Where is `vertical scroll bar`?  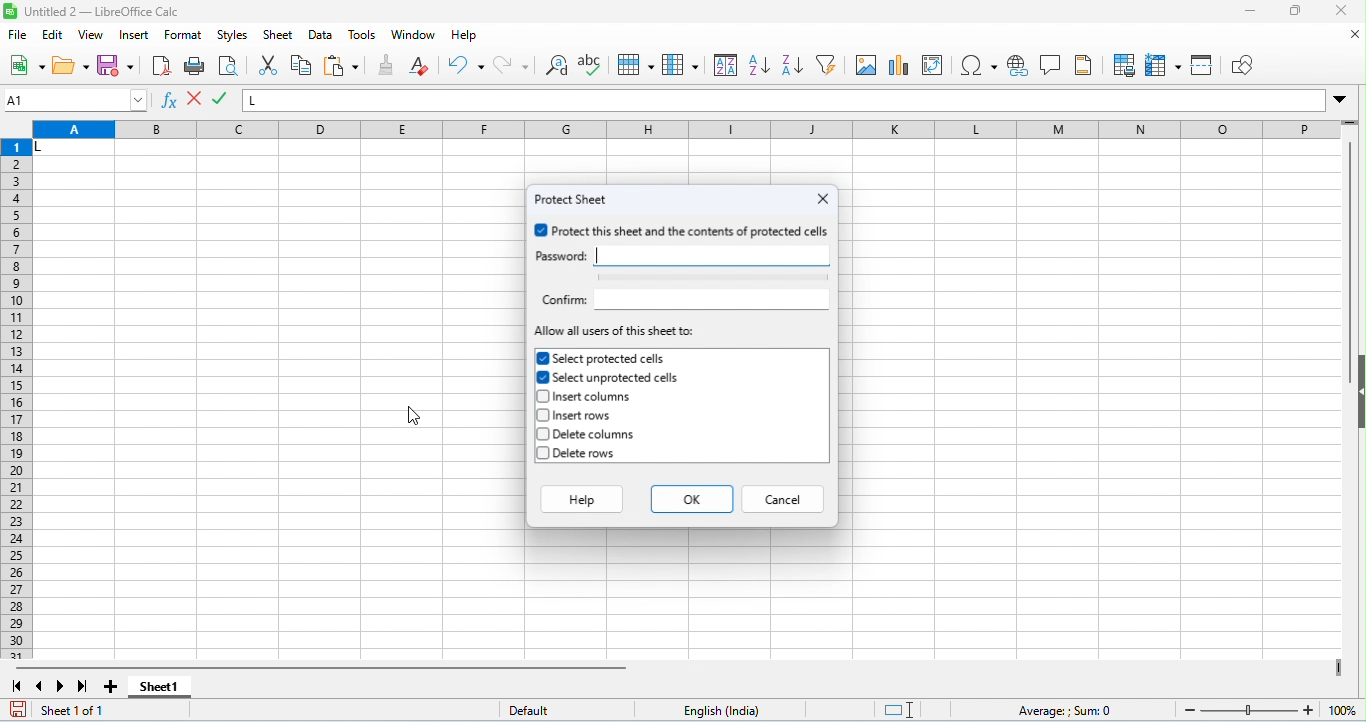 vertical scroll bar is located at coordinates (1351, 264).